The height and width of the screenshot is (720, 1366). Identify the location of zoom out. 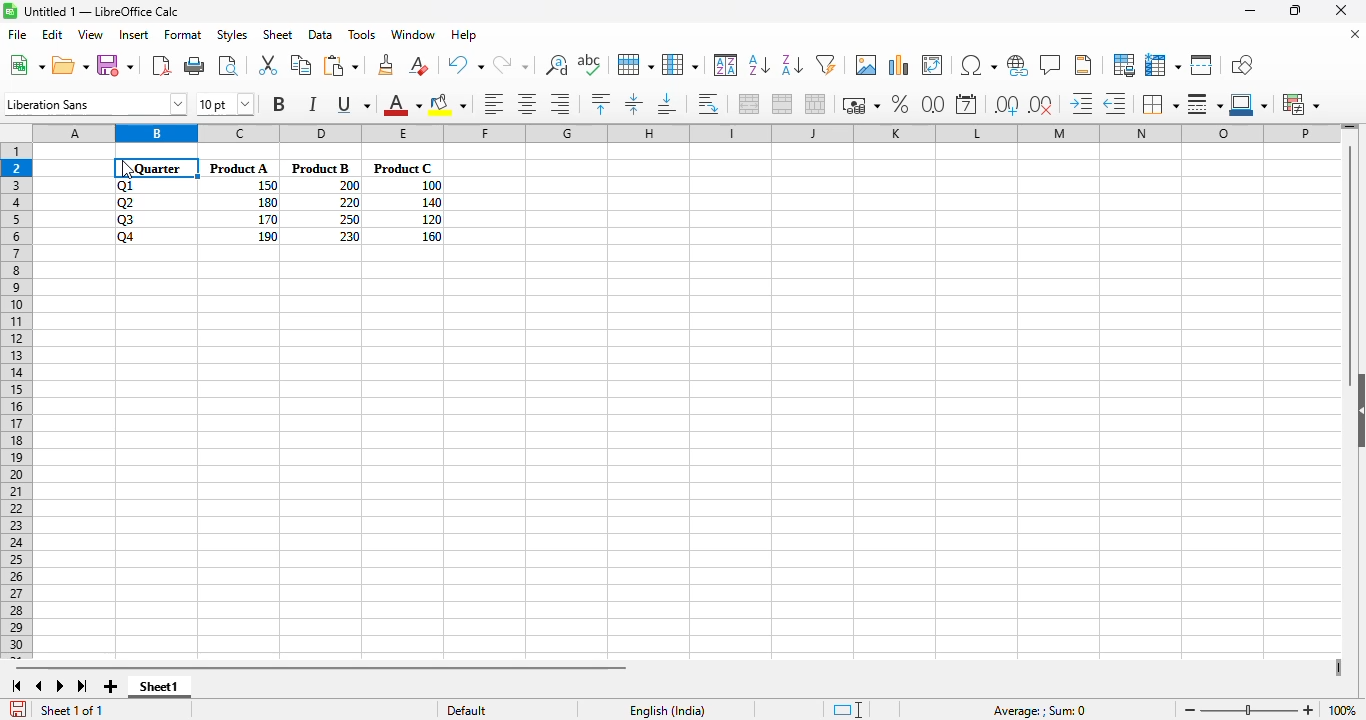
(1191, 711).